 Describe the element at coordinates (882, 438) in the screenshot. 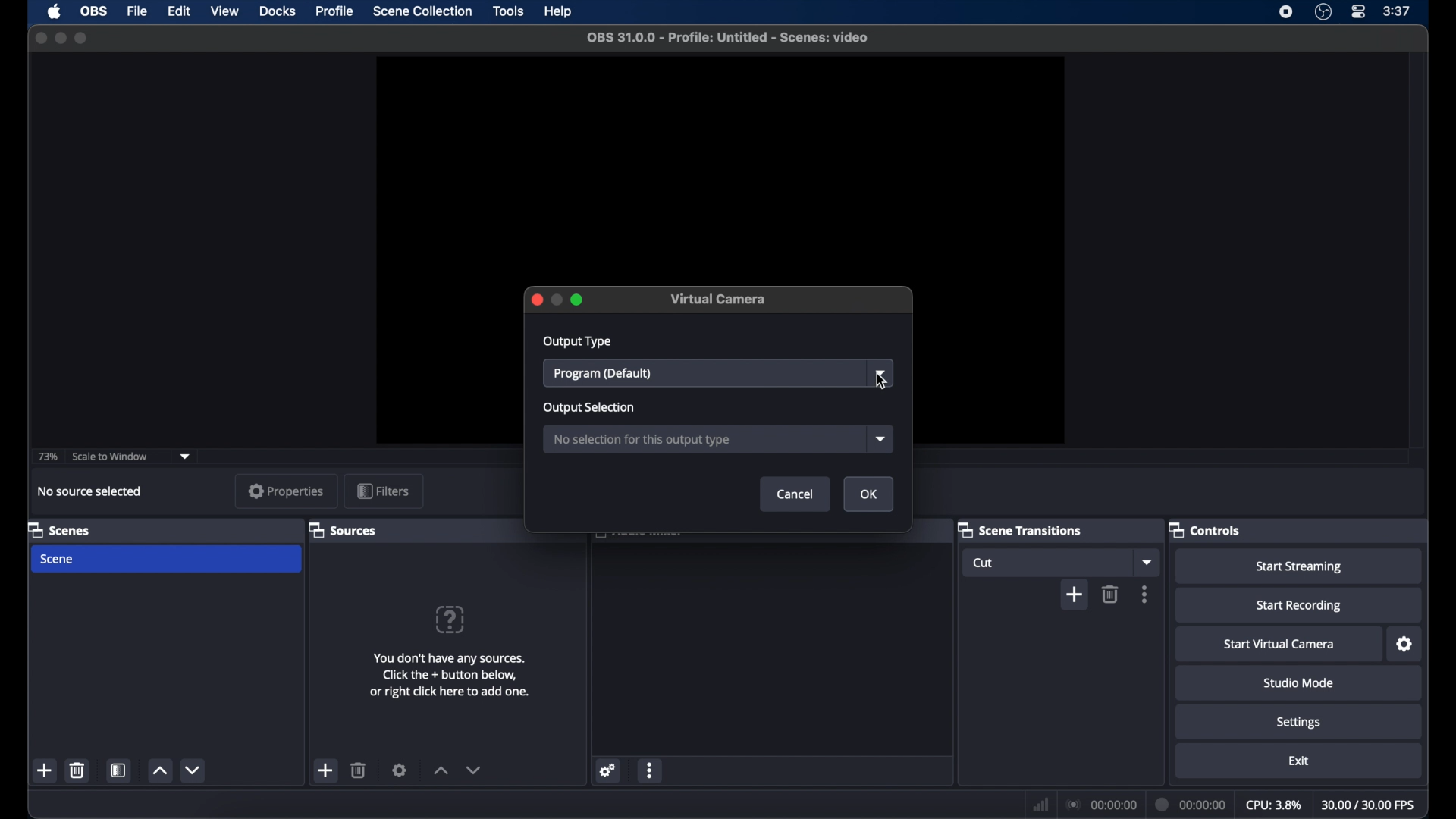

I see `dropdown` at that location.